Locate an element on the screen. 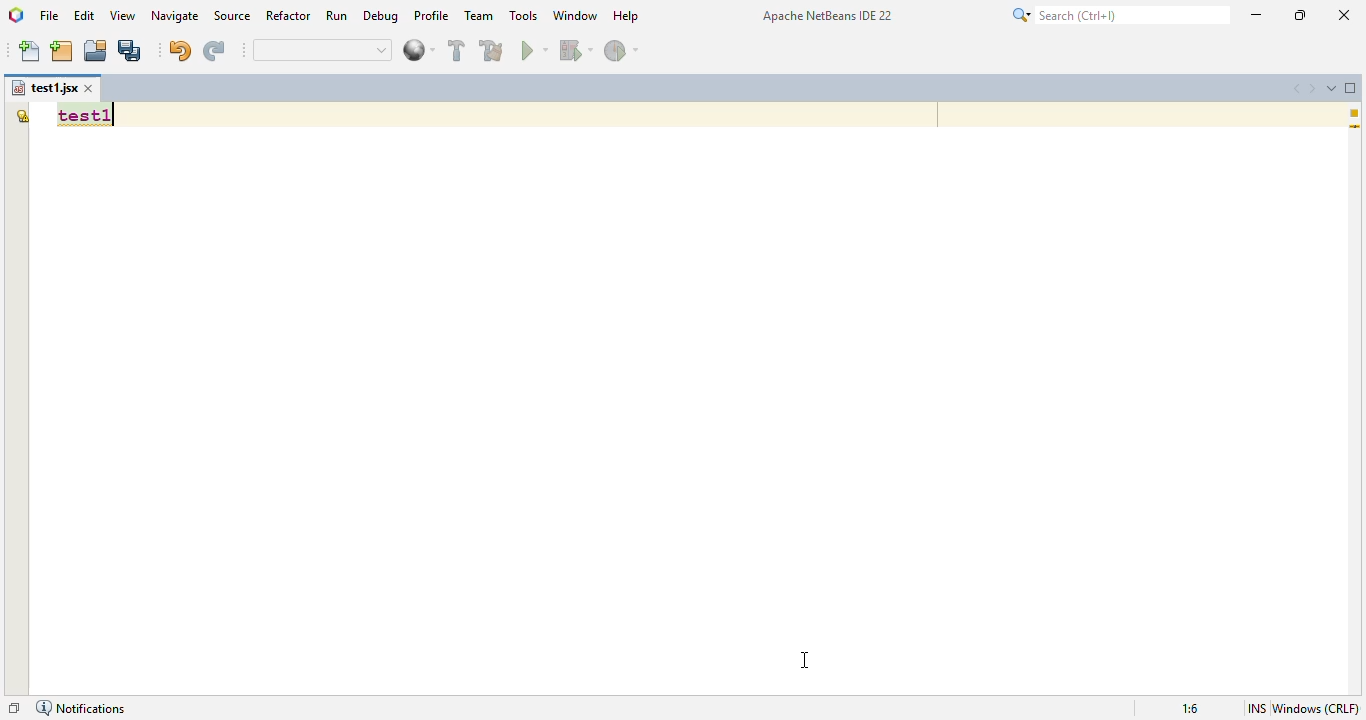 The height and width of the screenshot is (720, 1366). windows (CRLF) is located at coordinates (1316, 708).